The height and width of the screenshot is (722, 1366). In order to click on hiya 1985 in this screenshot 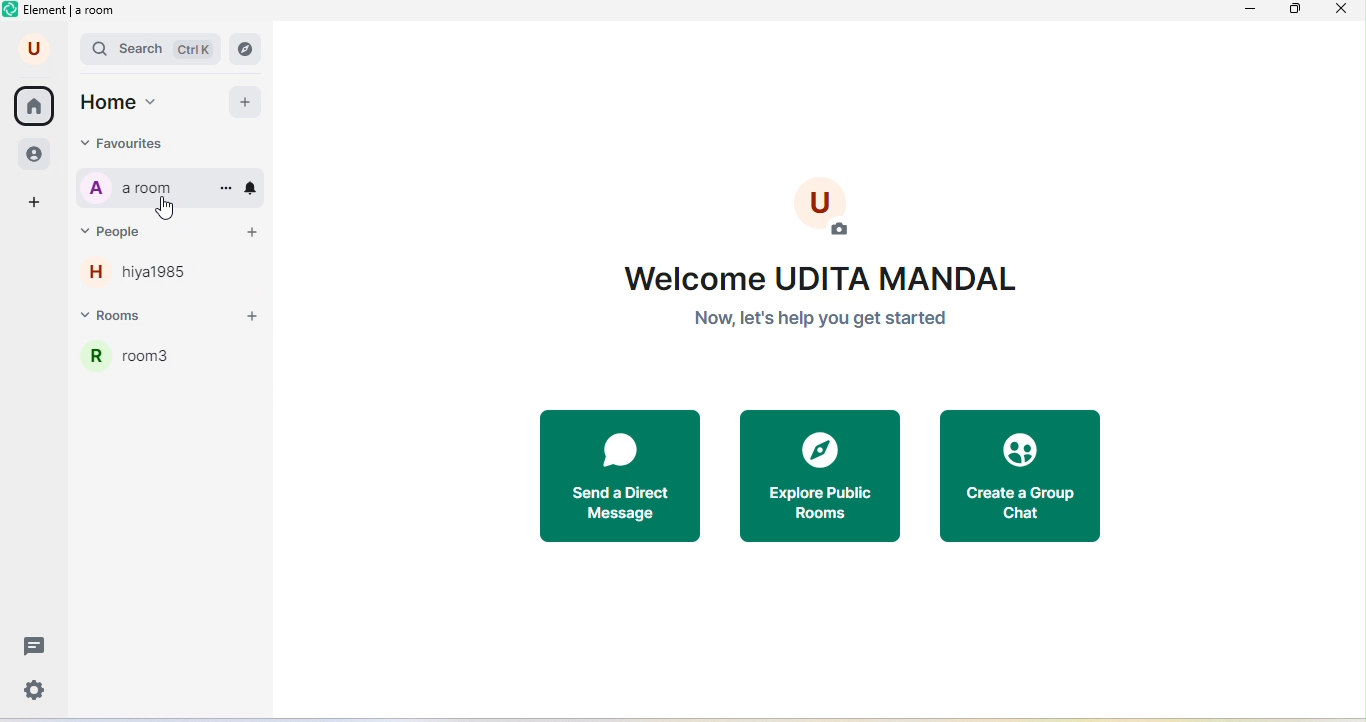, I will do `click(149, 277)`.